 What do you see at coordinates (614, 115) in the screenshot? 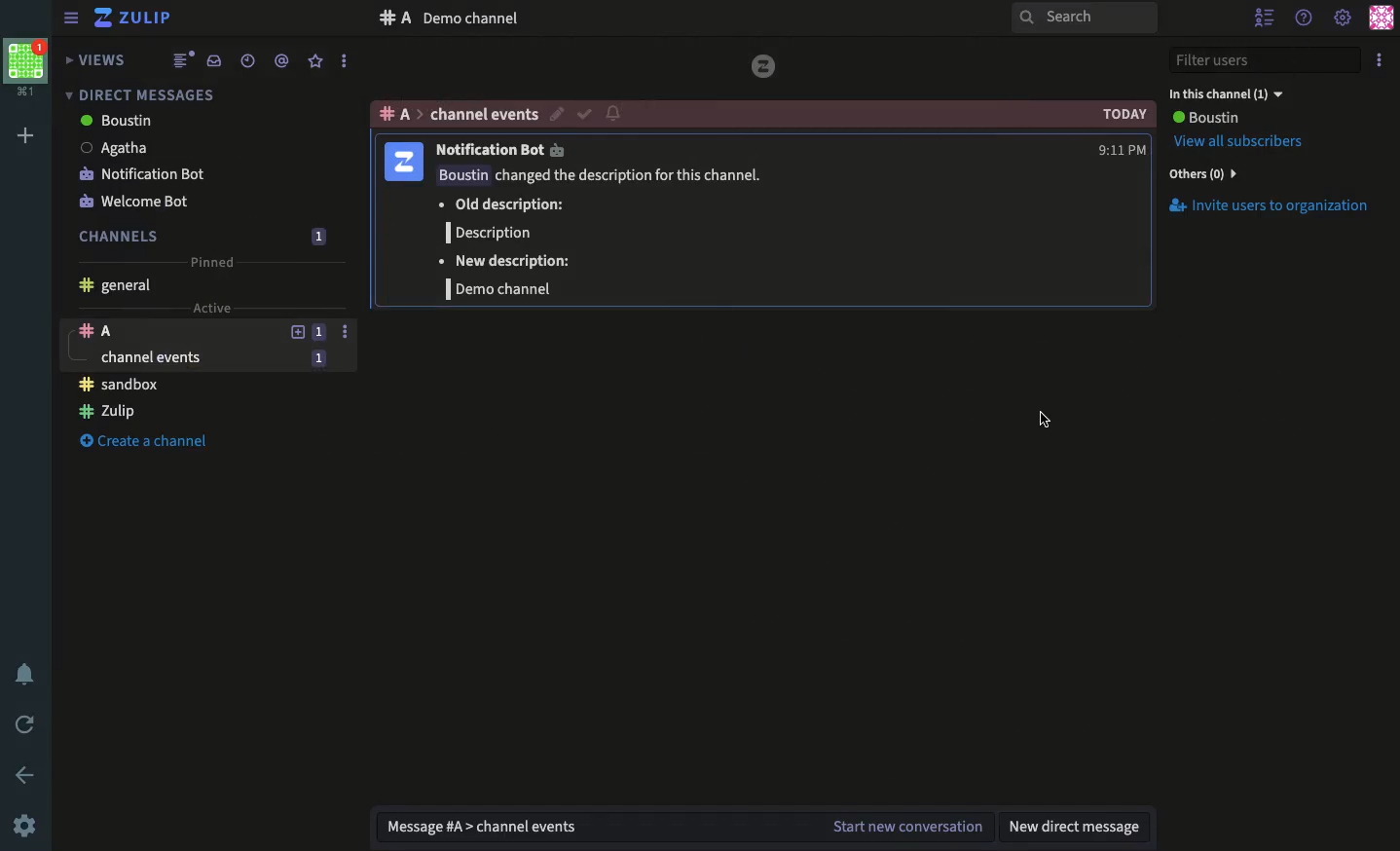
I see `notification` at bounding box center [614, 115].